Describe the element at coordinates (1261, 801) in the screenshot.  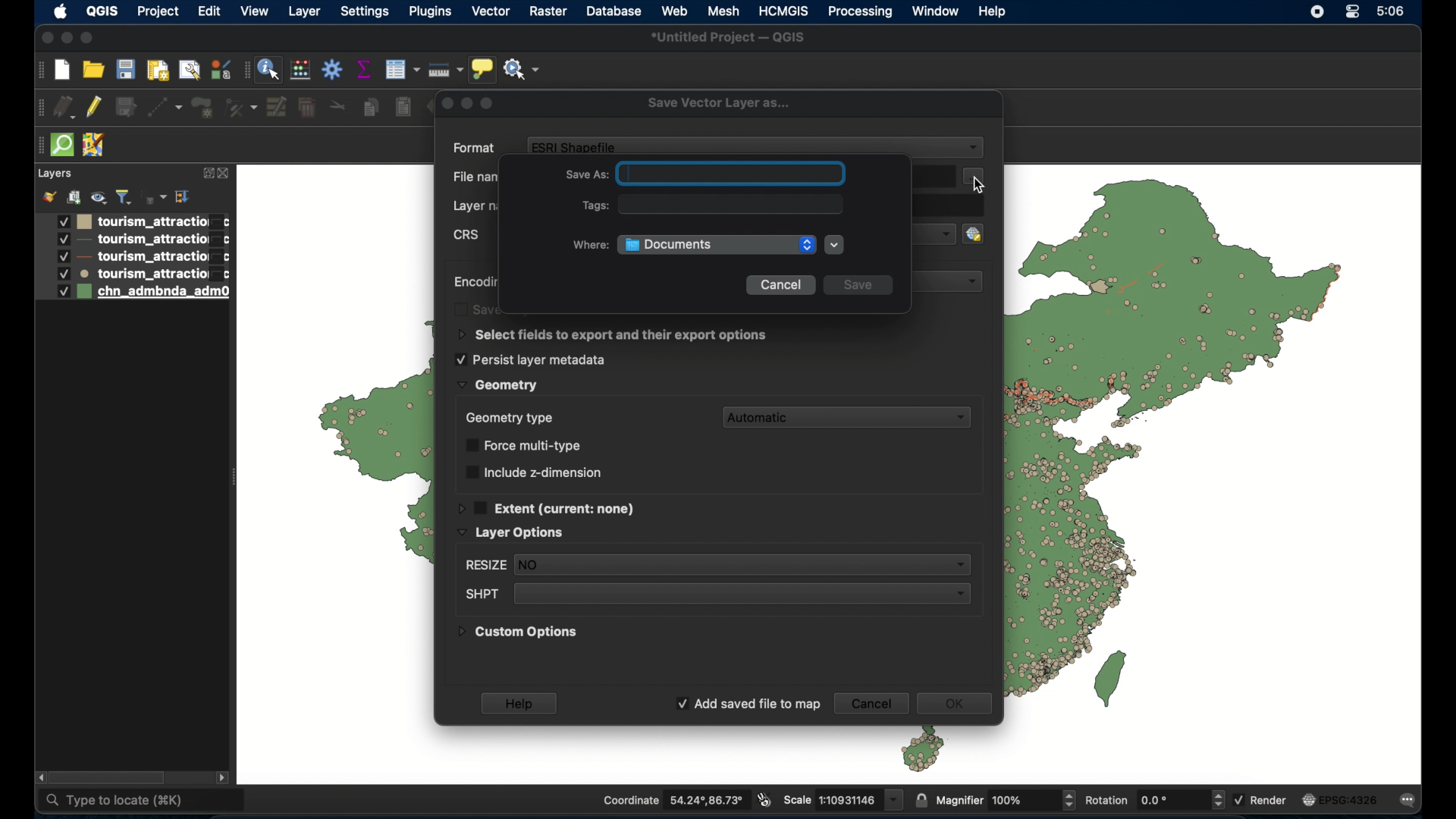
I see `render` at that location.